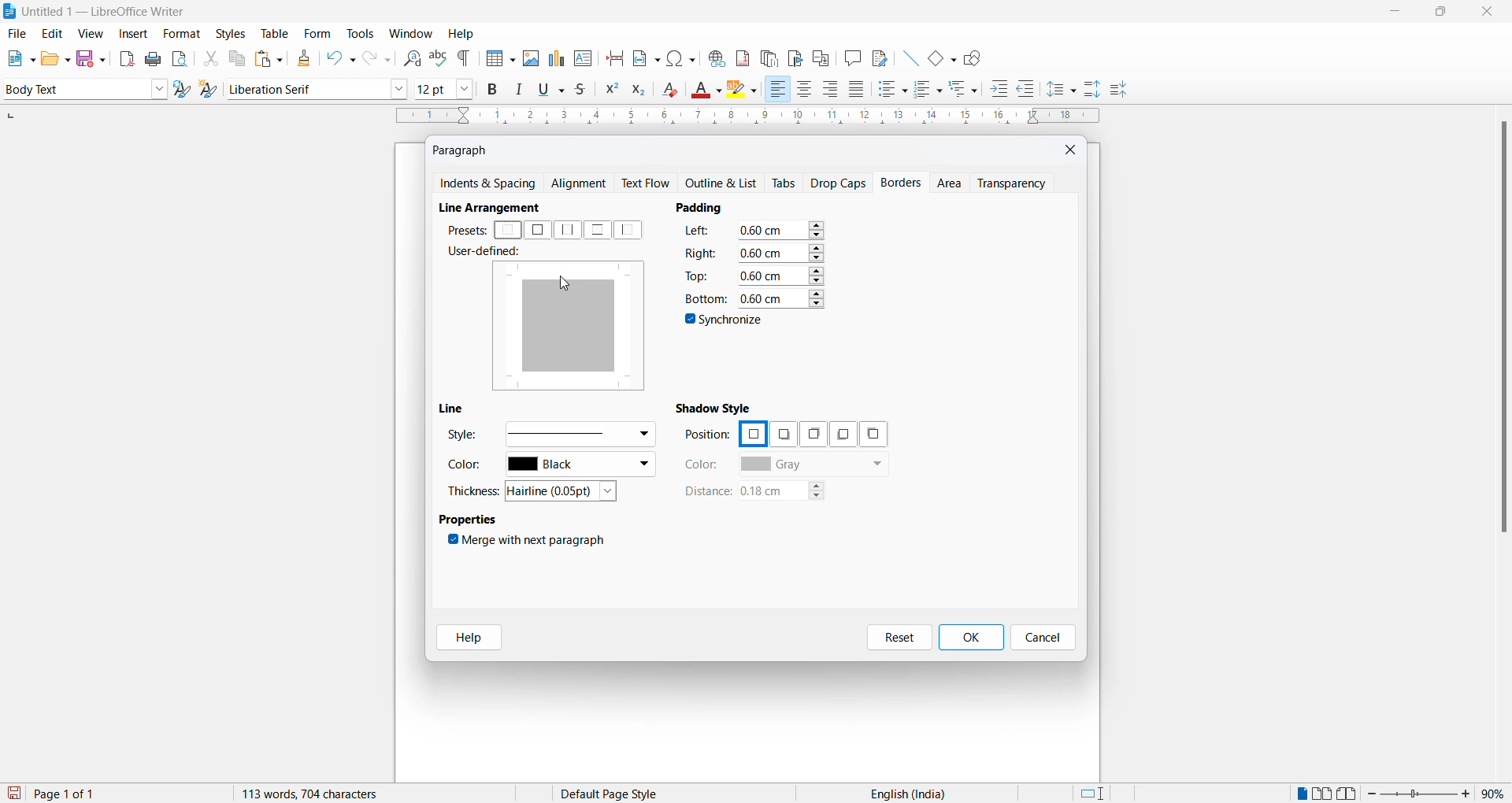 The image size is (1512, 803). Describe the element at coordinates (969, 88) in the screenshot. I see `select outline format` at that location.